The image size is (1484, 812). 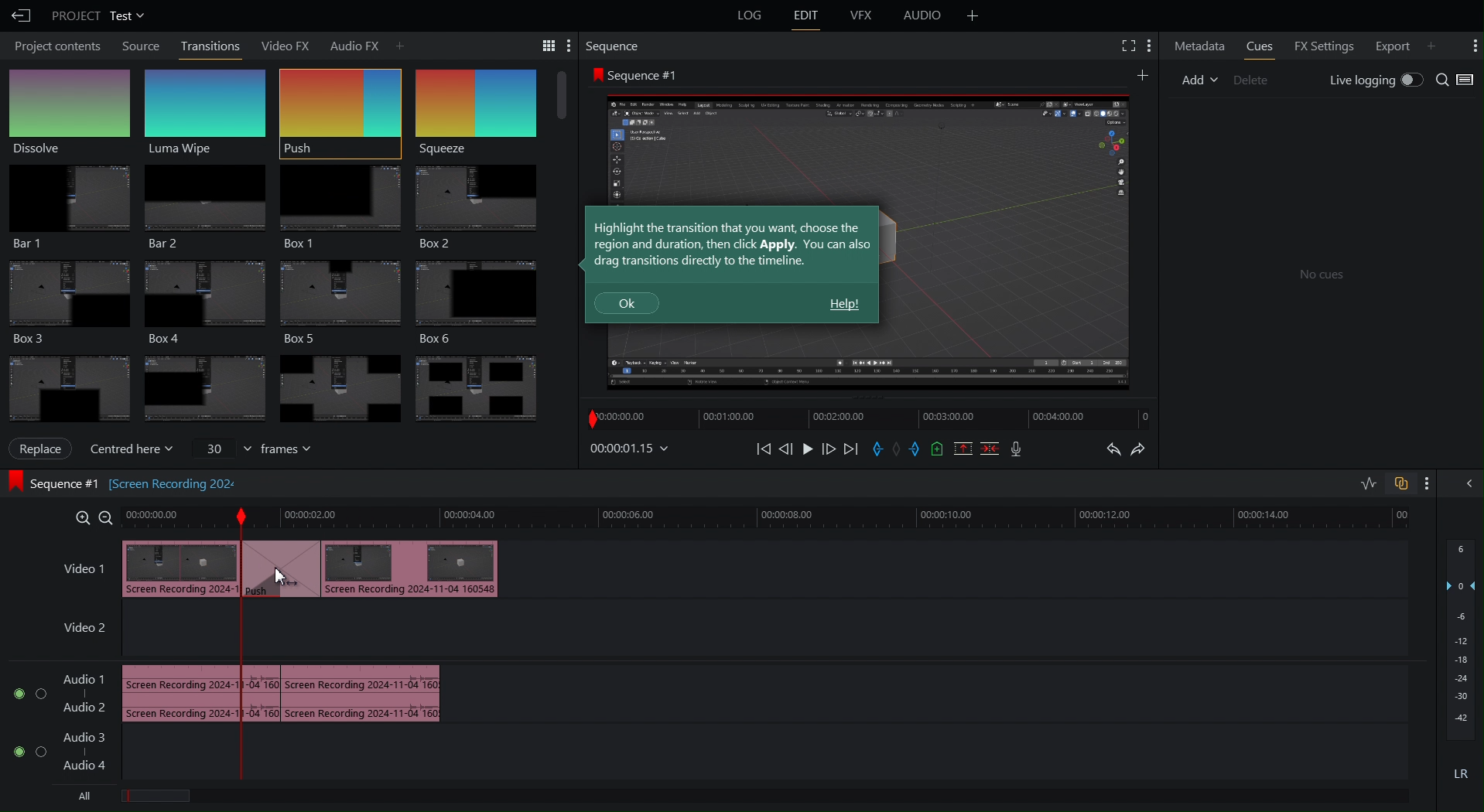 I want to click on Audio track 2, so click(x=84, y=707).